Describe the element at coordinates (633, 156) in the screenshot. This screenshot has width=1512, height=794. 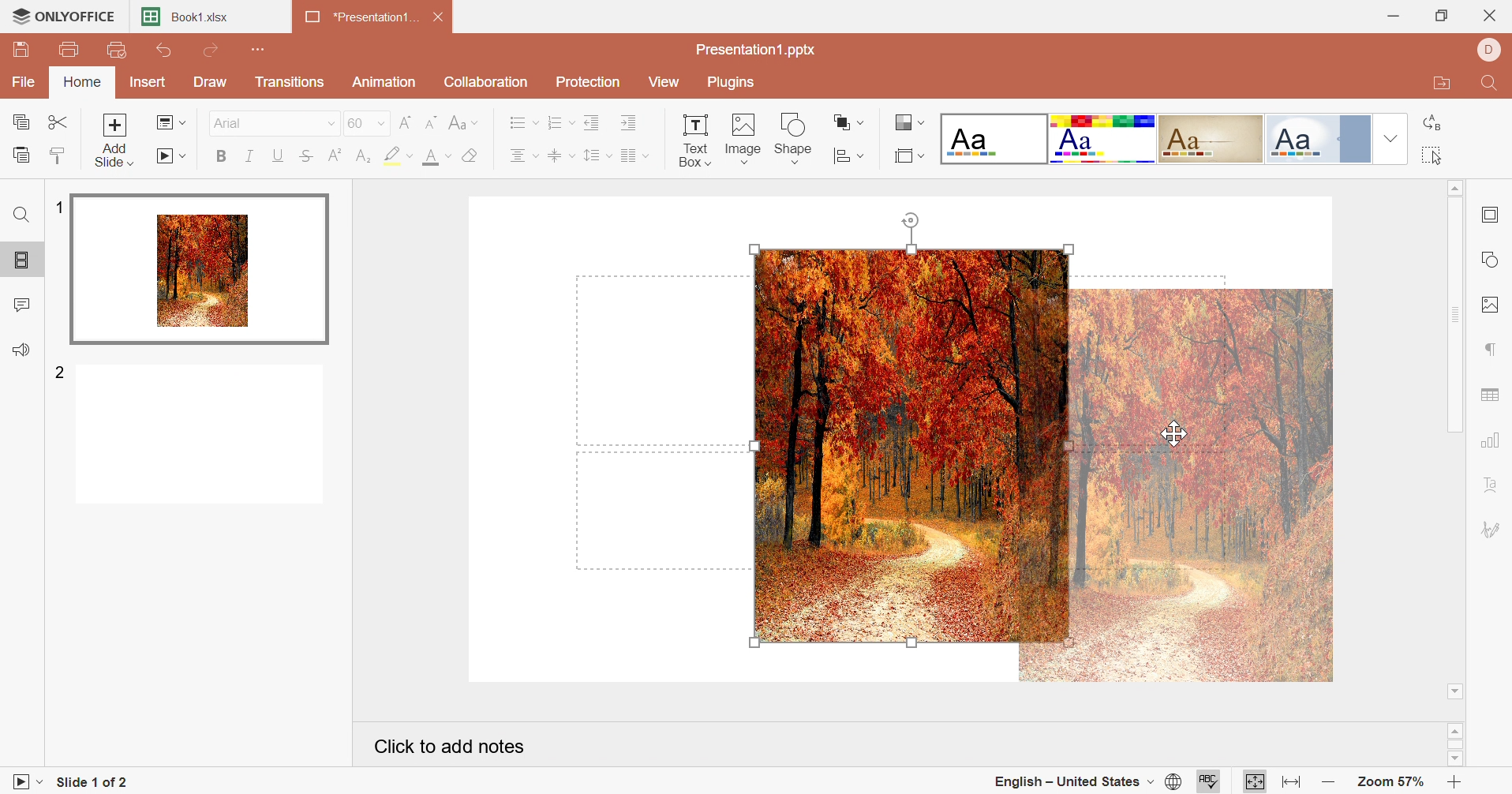
I see `Add columns` at that location.